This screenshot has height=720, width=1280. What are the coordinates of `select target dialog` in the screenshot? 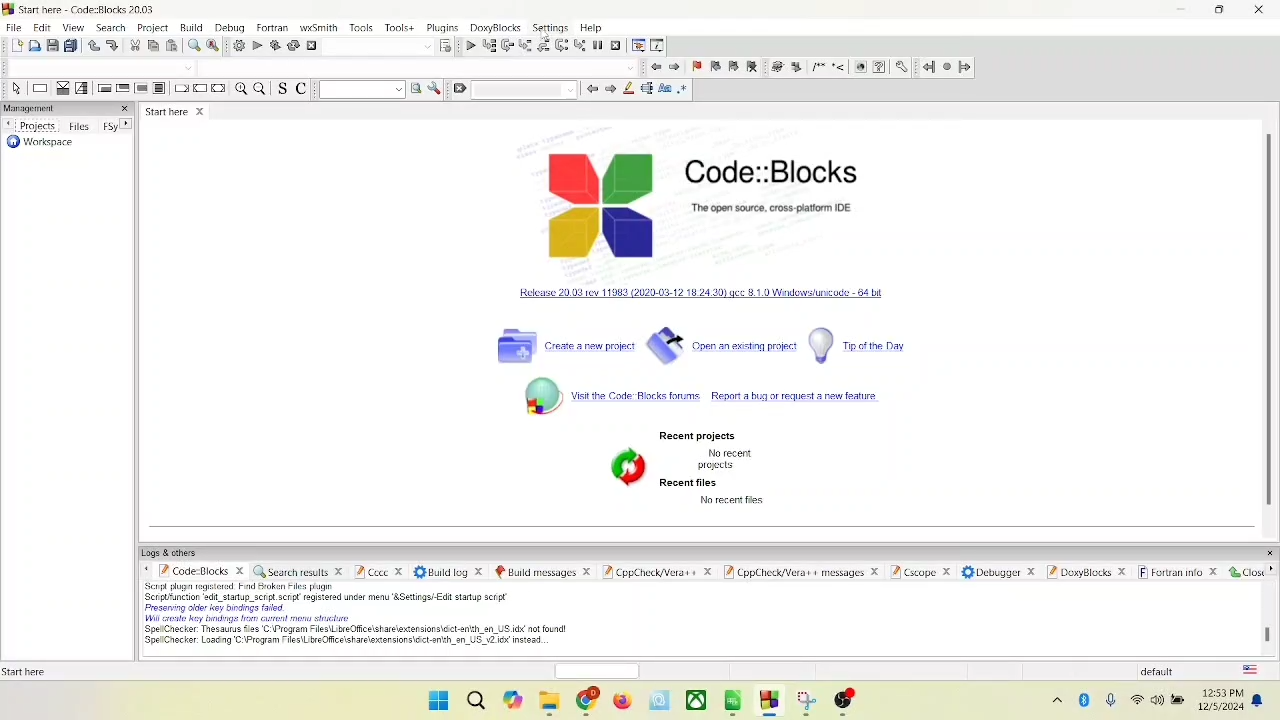 It's located at (444, 47).